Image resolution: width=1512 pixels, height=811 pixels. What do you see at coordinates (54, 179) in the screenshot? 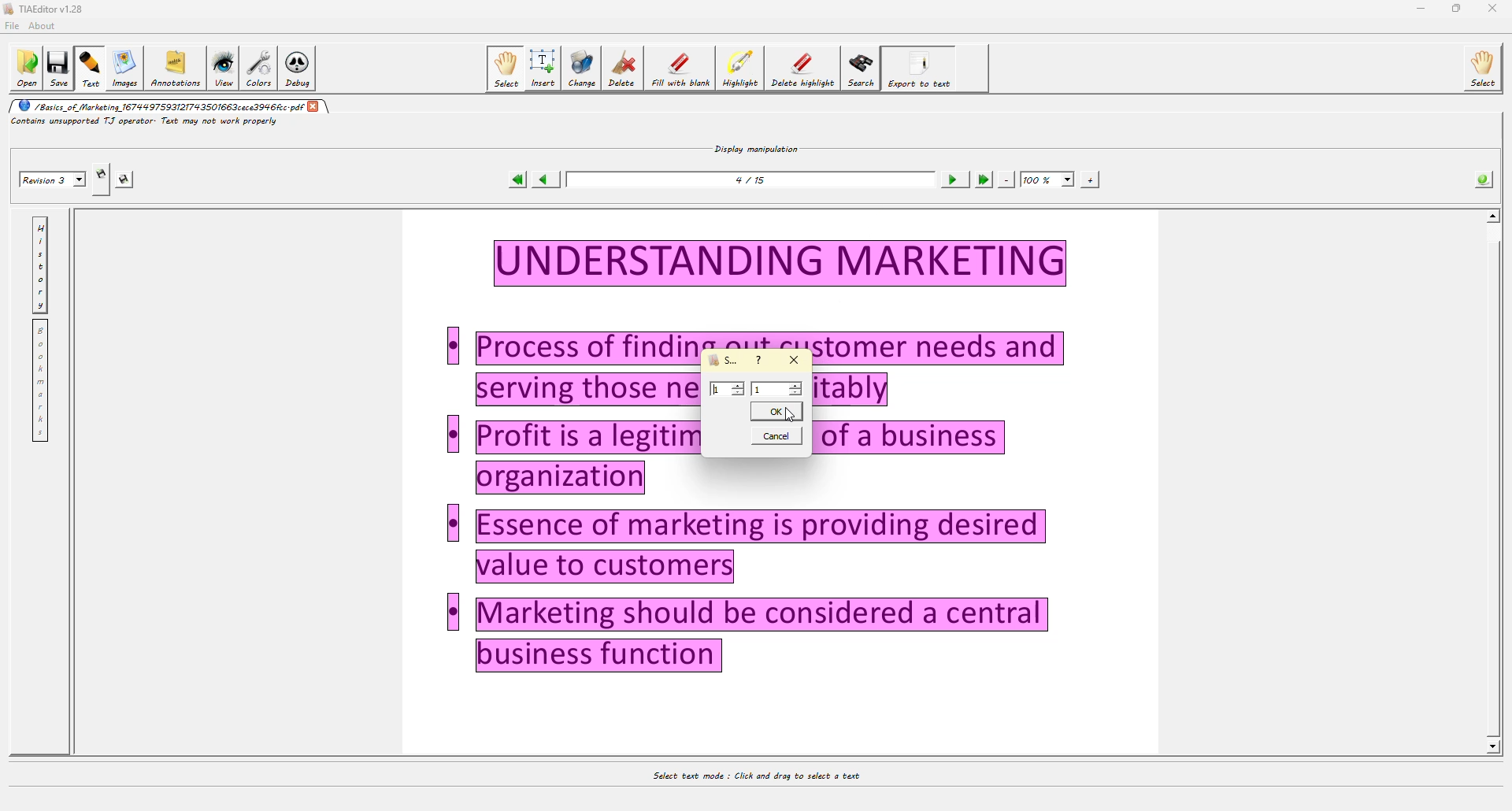
I see `revision 3` at bounding box center [54, 179].